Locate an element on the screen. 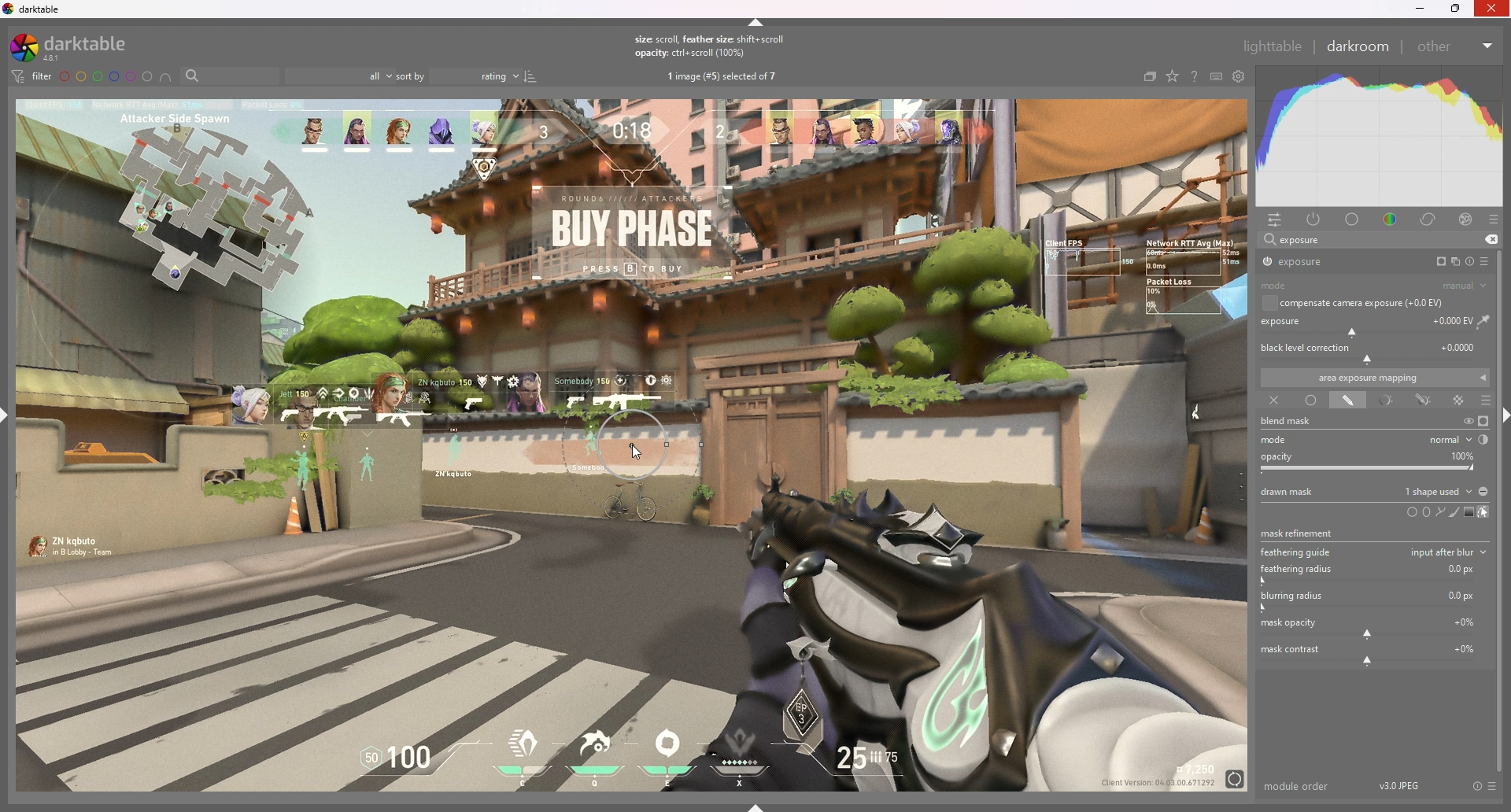 This screenshot has width=1511, height=812. color labels is located at coordinates (106, 77).